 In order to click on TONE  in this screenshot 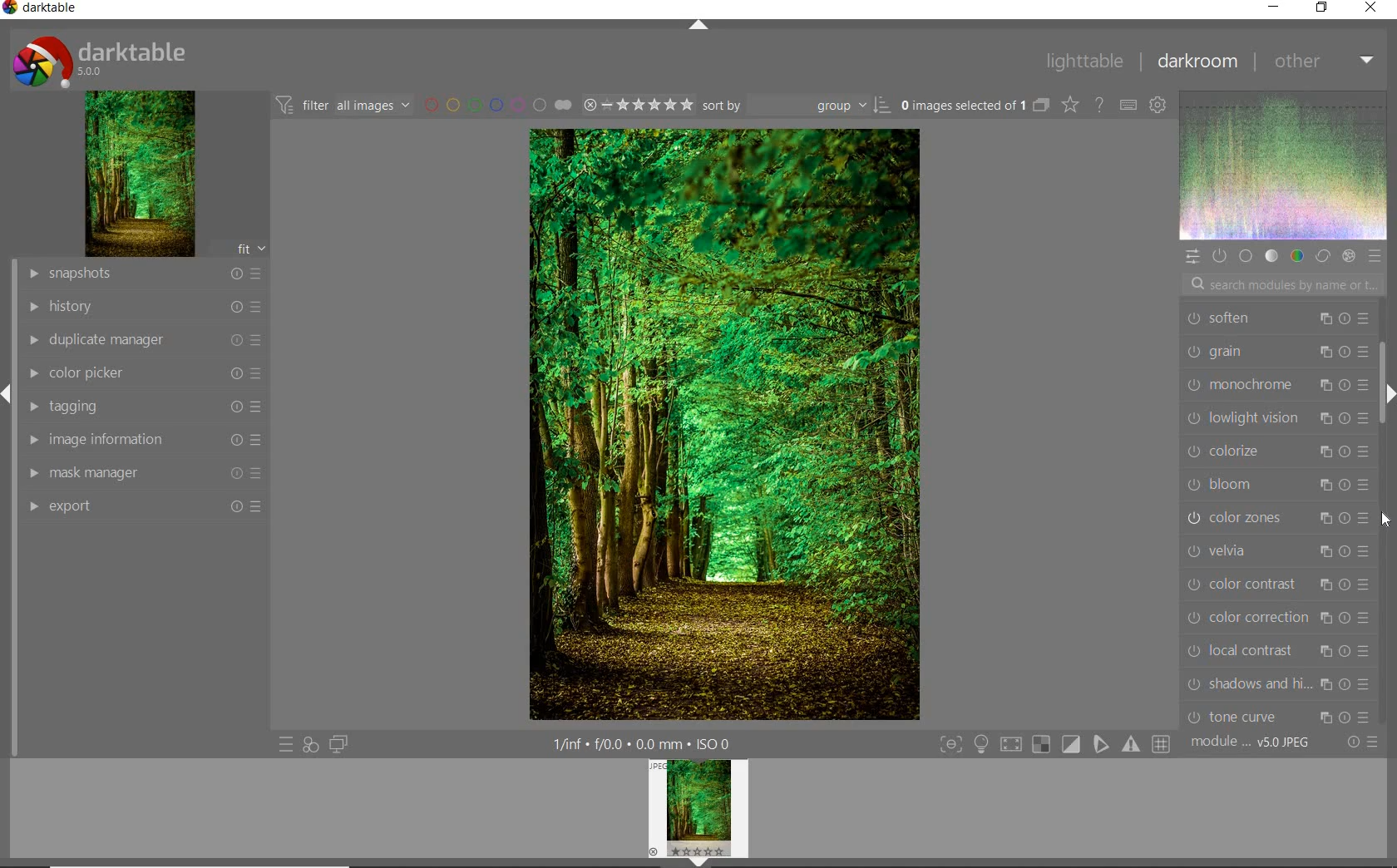, I will do `click(1271, 256)`.